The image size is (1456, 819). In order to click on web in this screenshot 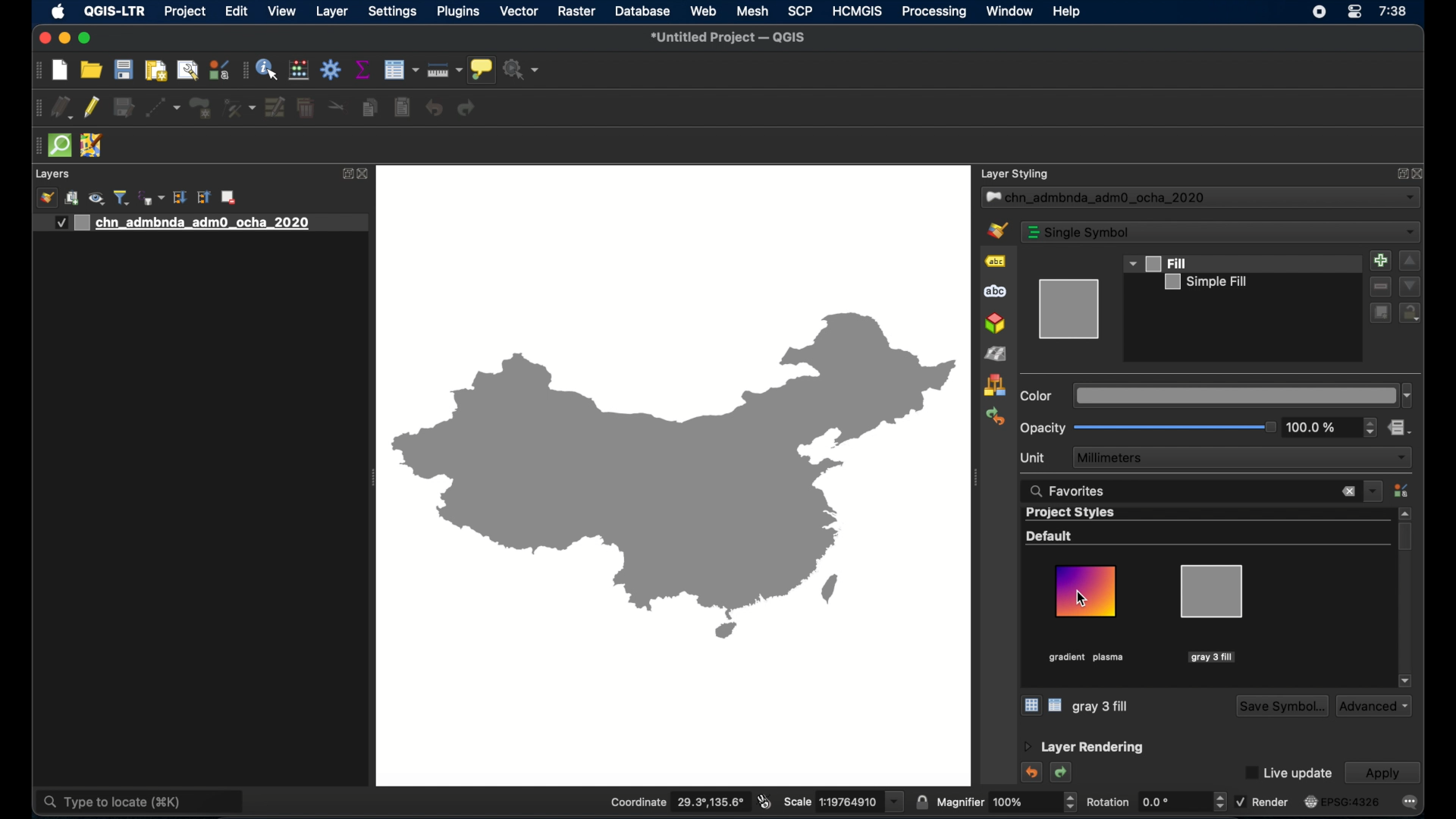, I will do `click(704, 11)`.